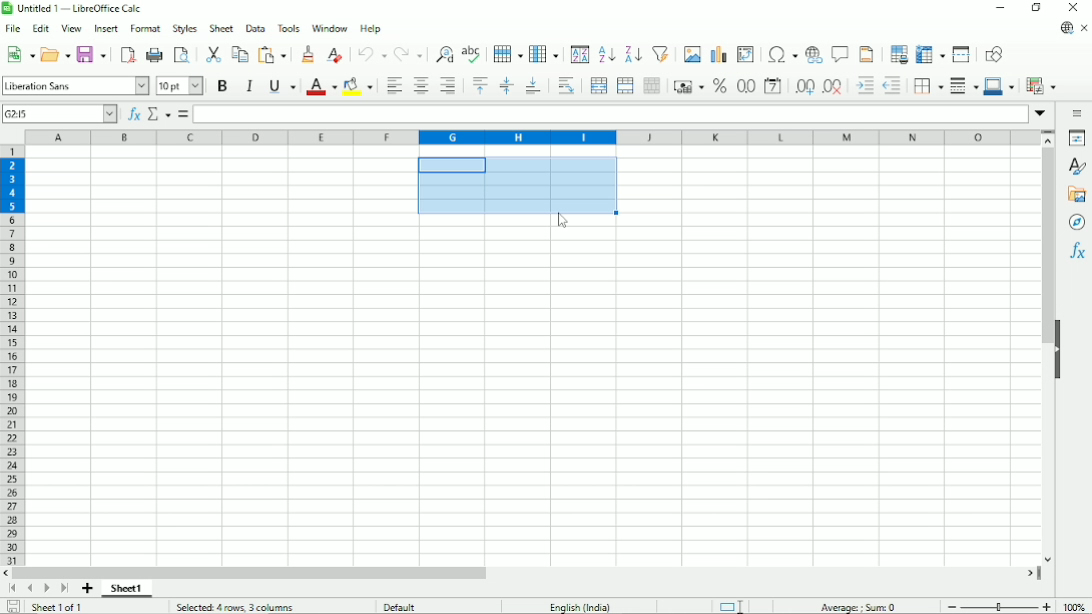 The width and height of the screenshot is (1092, 614). What do you see at coordinates (29, 589) in the screenshot?
I see `Scroll to previous page` at bounding box center [29, 589].